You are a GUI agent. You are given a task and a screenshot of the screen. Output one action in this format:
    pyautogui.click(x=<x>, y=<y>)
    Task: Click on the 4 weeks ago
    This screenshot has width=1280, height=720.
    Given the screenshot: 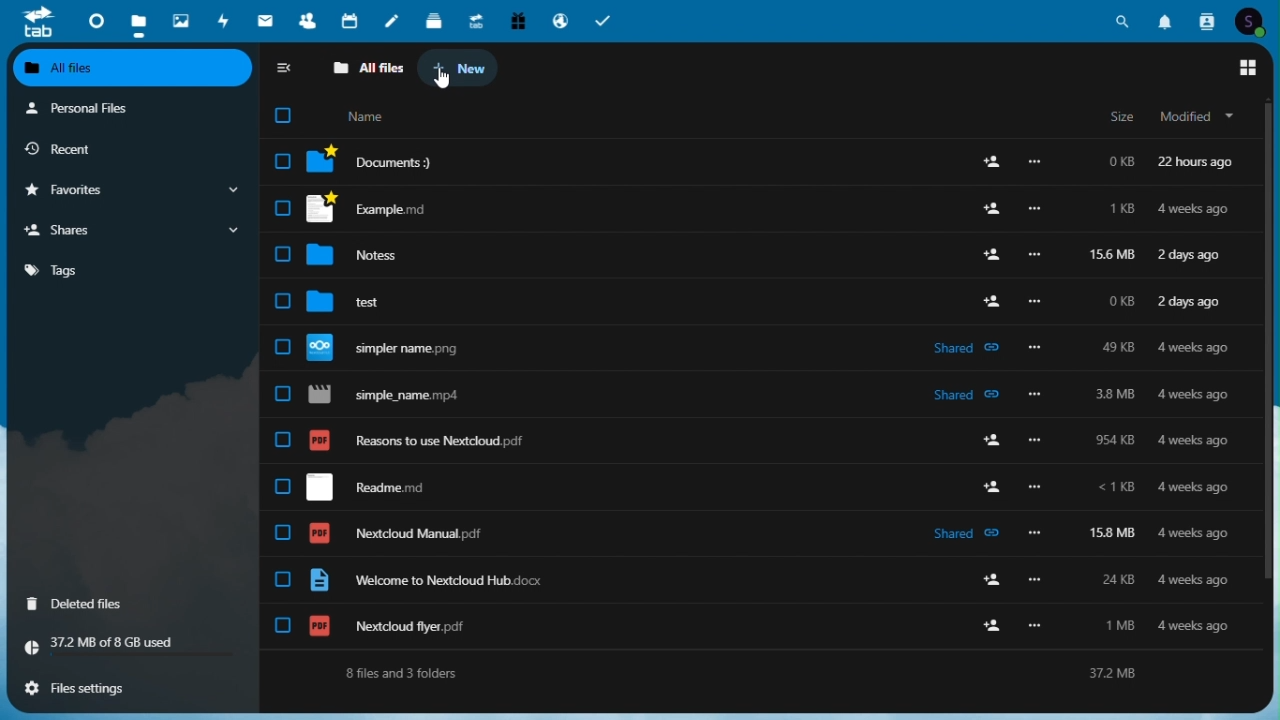 What is the action you would take?
    pyautogui.click(x=1192, y=210)
    